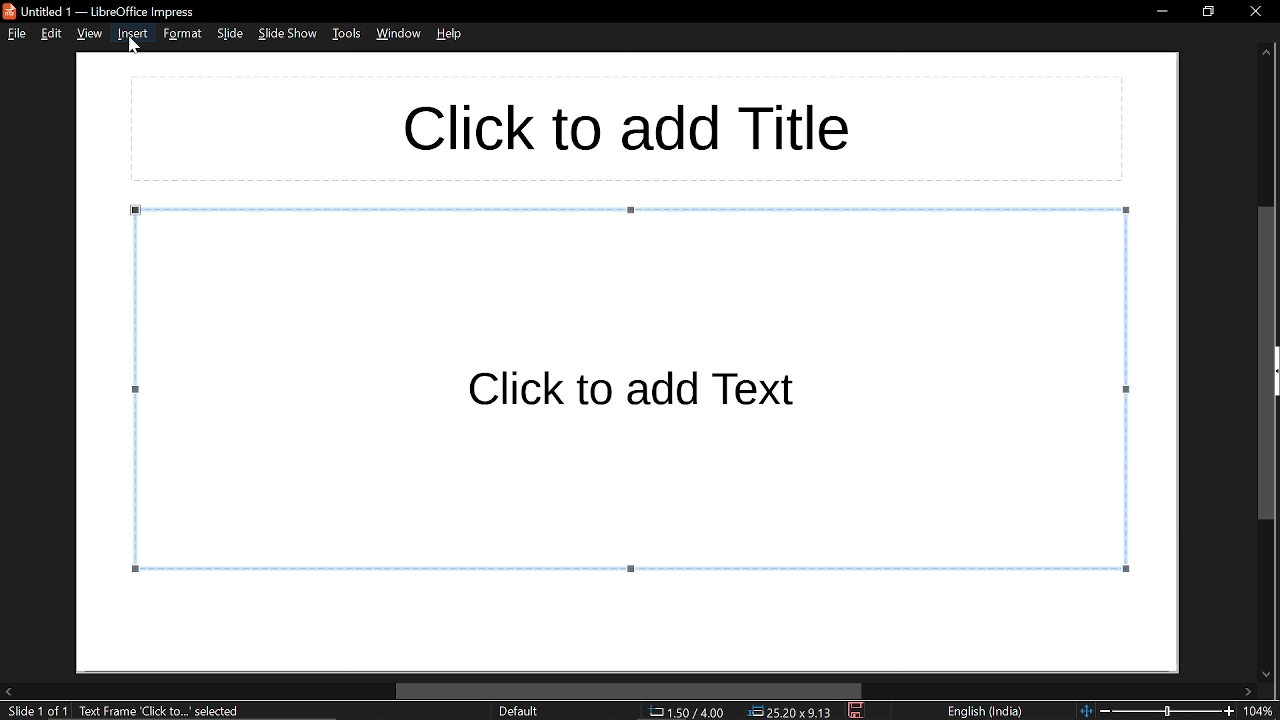  I want to click on insert, so click(132, 33).